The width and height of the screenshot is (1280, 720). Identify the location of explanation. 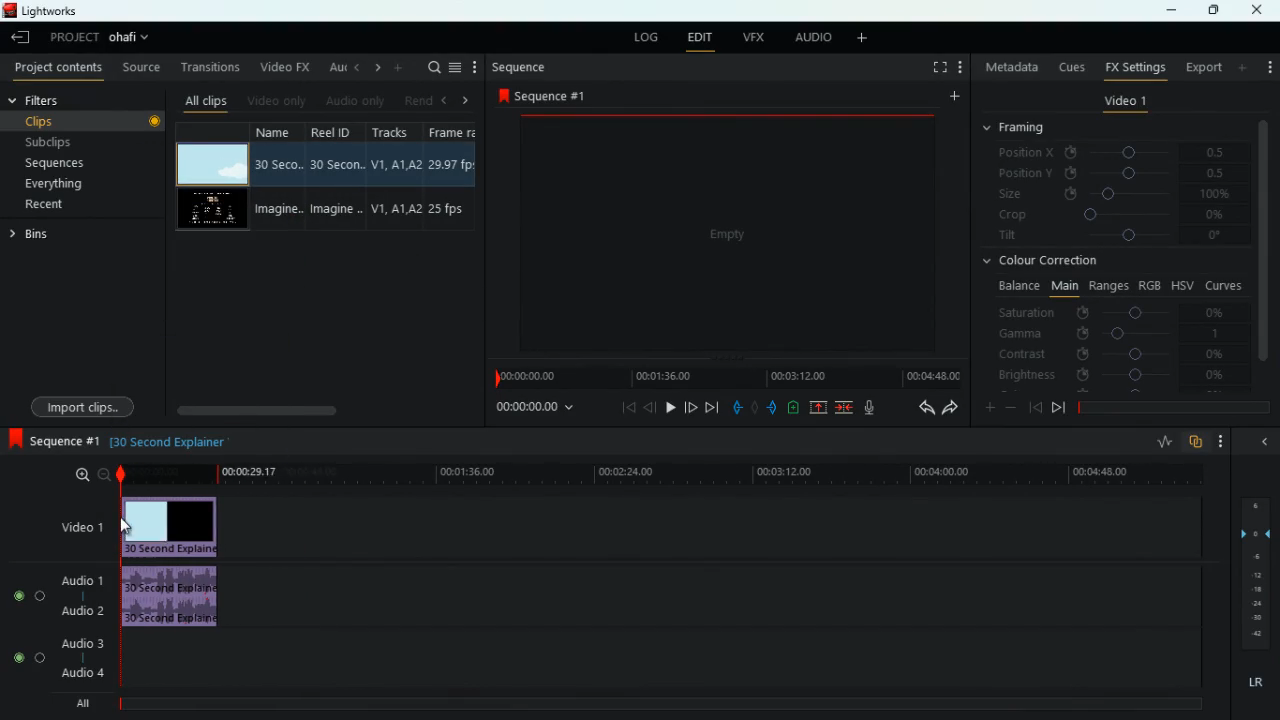
(170, 443).